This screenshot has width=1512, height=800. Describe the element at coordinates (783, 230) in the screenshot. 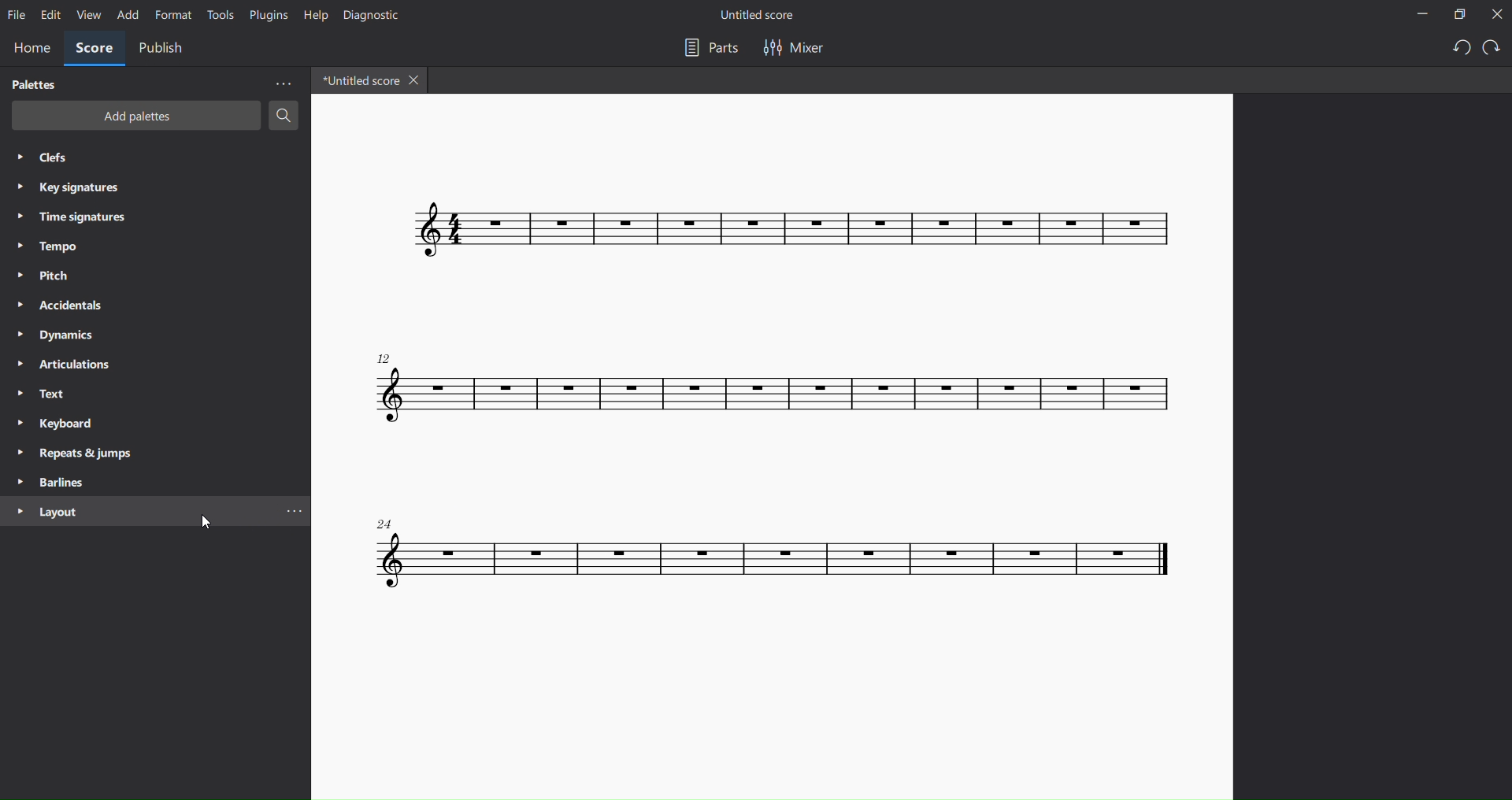

I see `score` at that location.